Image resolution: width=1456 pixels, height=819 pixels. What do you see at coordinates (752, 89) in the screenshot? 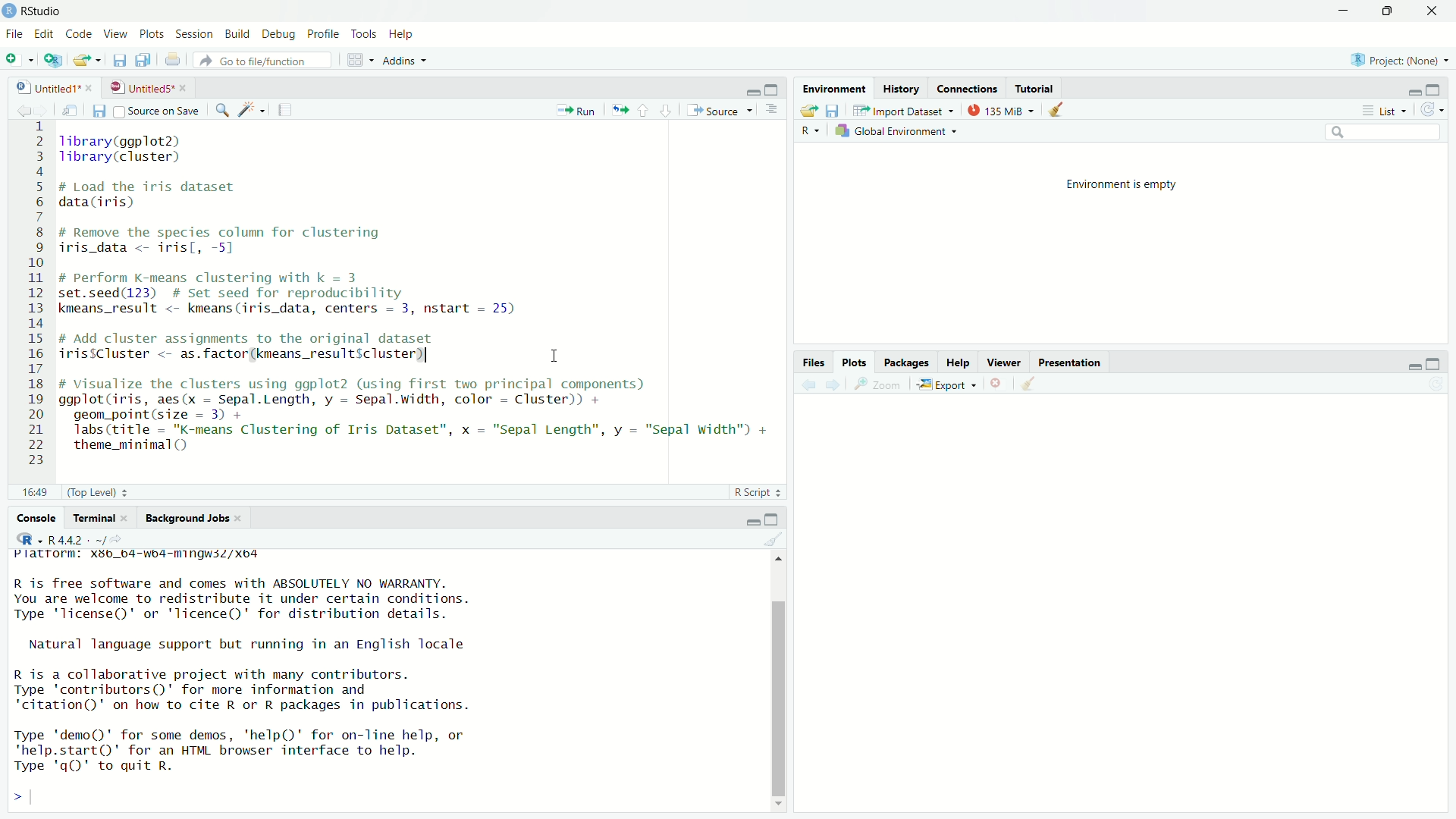
I see `minimize` at bounding box center [752, 89].